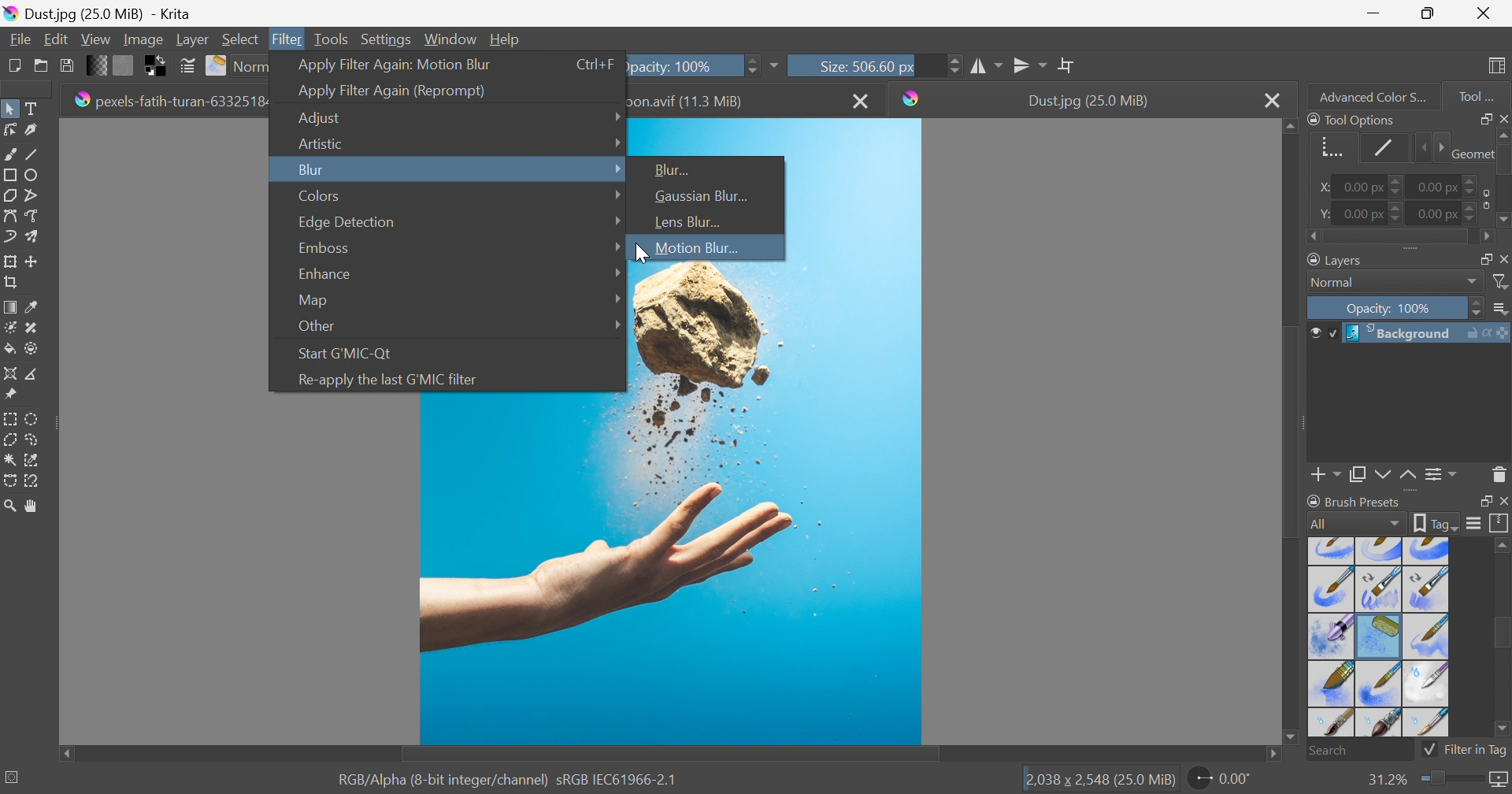  Describe the element at coordinates (1221, 781) in the screenshot. I see `0.00°` at that location.